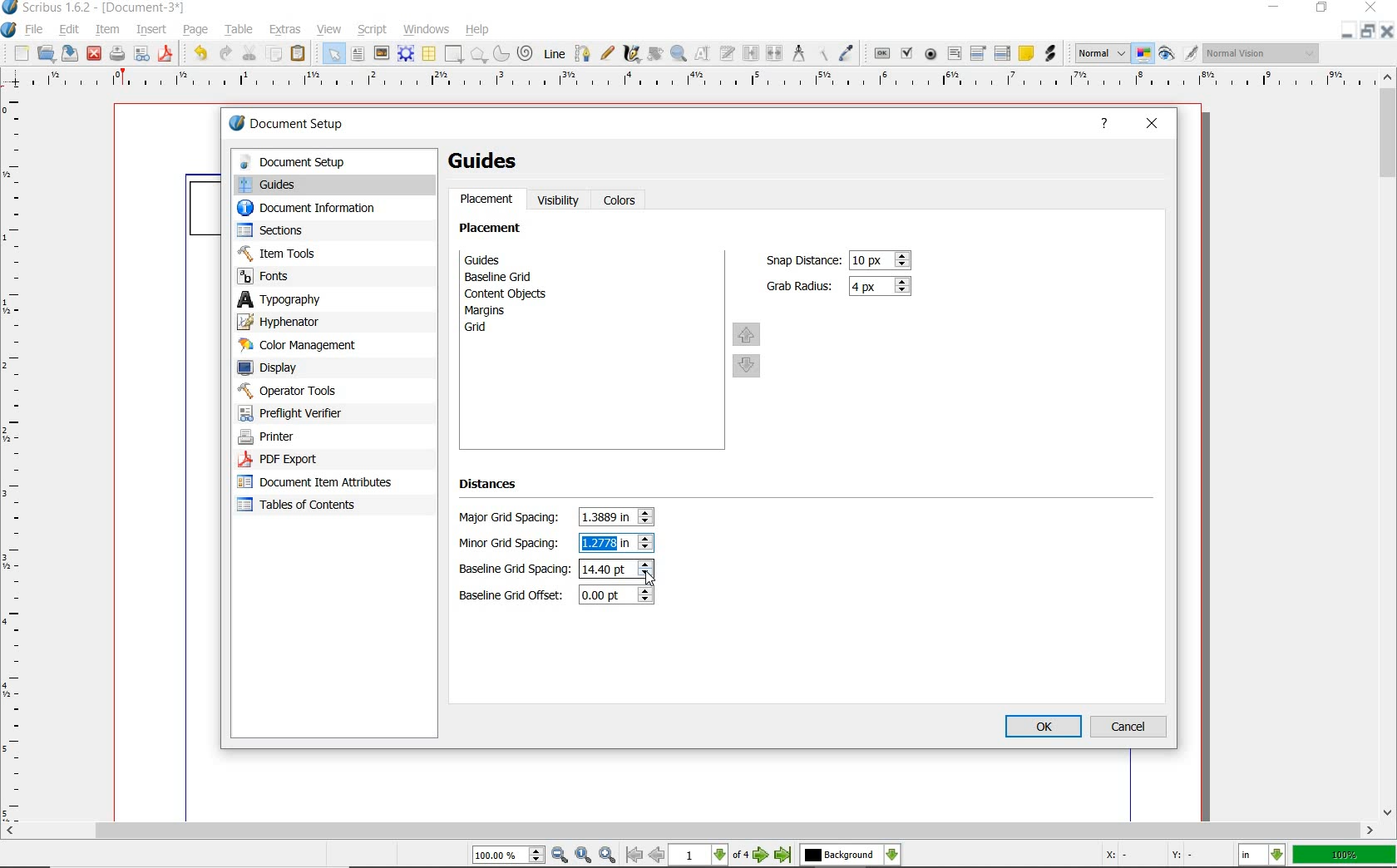  I want to click on pdf radio button, so click(932, 54).